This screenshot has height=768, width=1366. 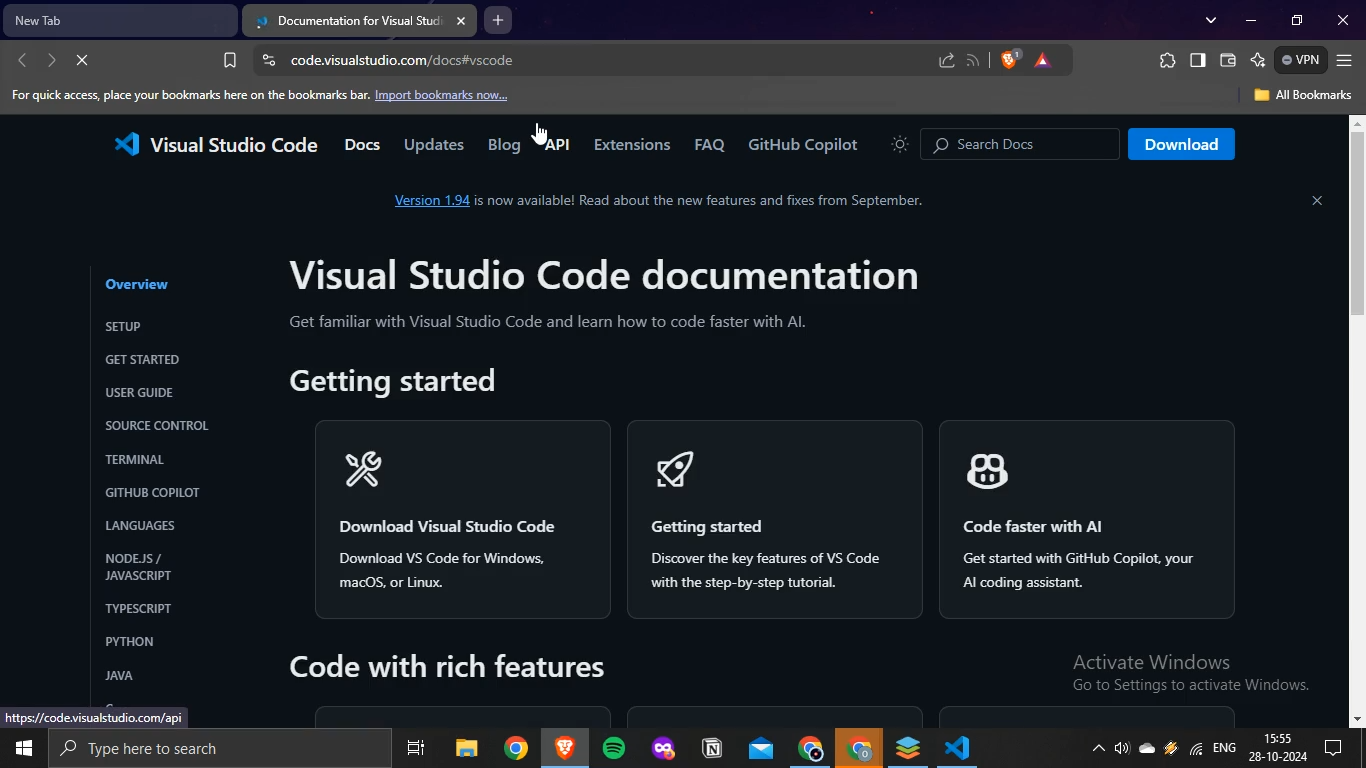 I want to click on Import bookmarks now..., so click(x=441, y=95).